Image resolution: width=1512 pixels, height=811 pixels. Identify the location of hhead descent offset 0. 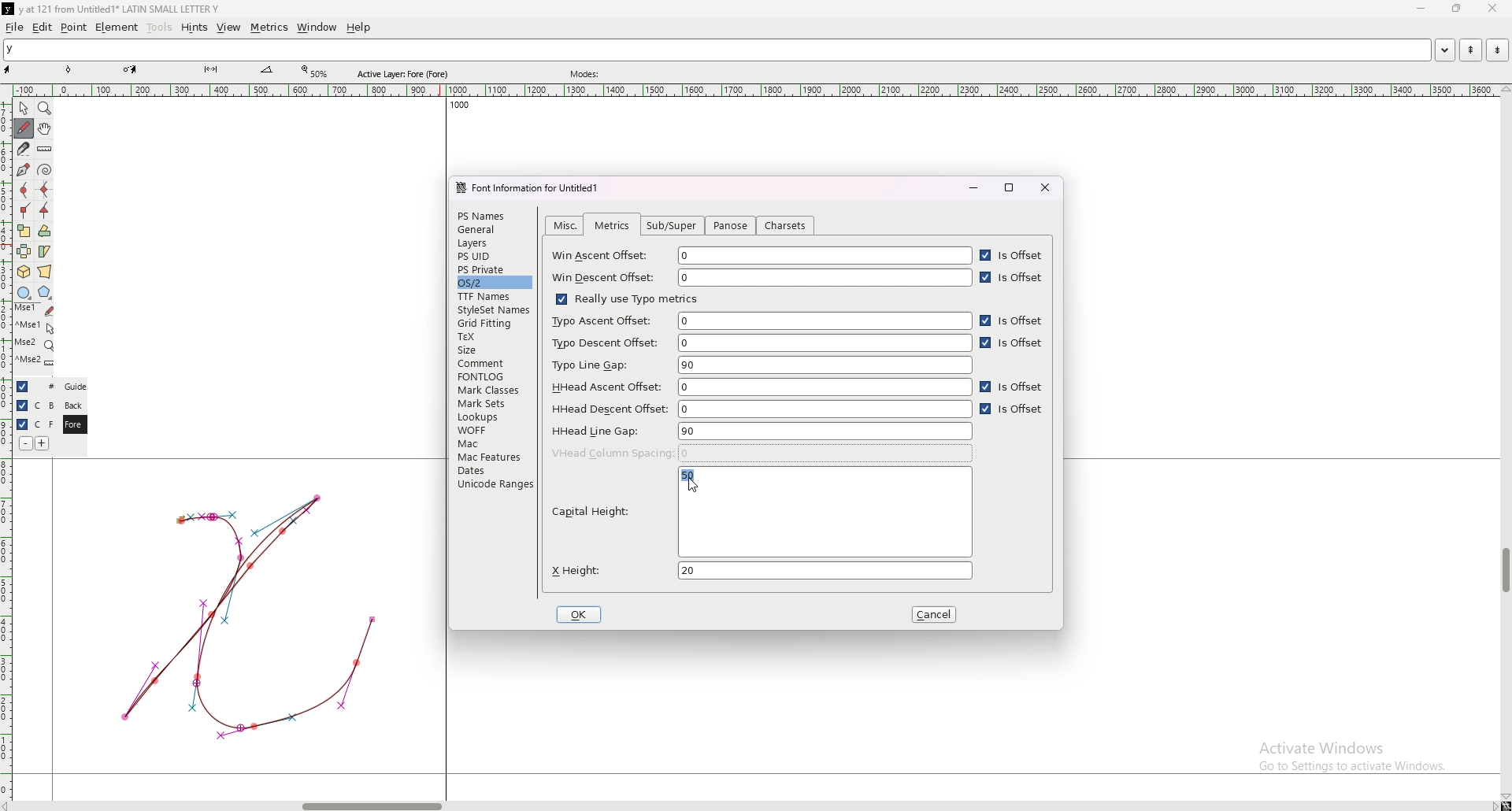
(762, 408).